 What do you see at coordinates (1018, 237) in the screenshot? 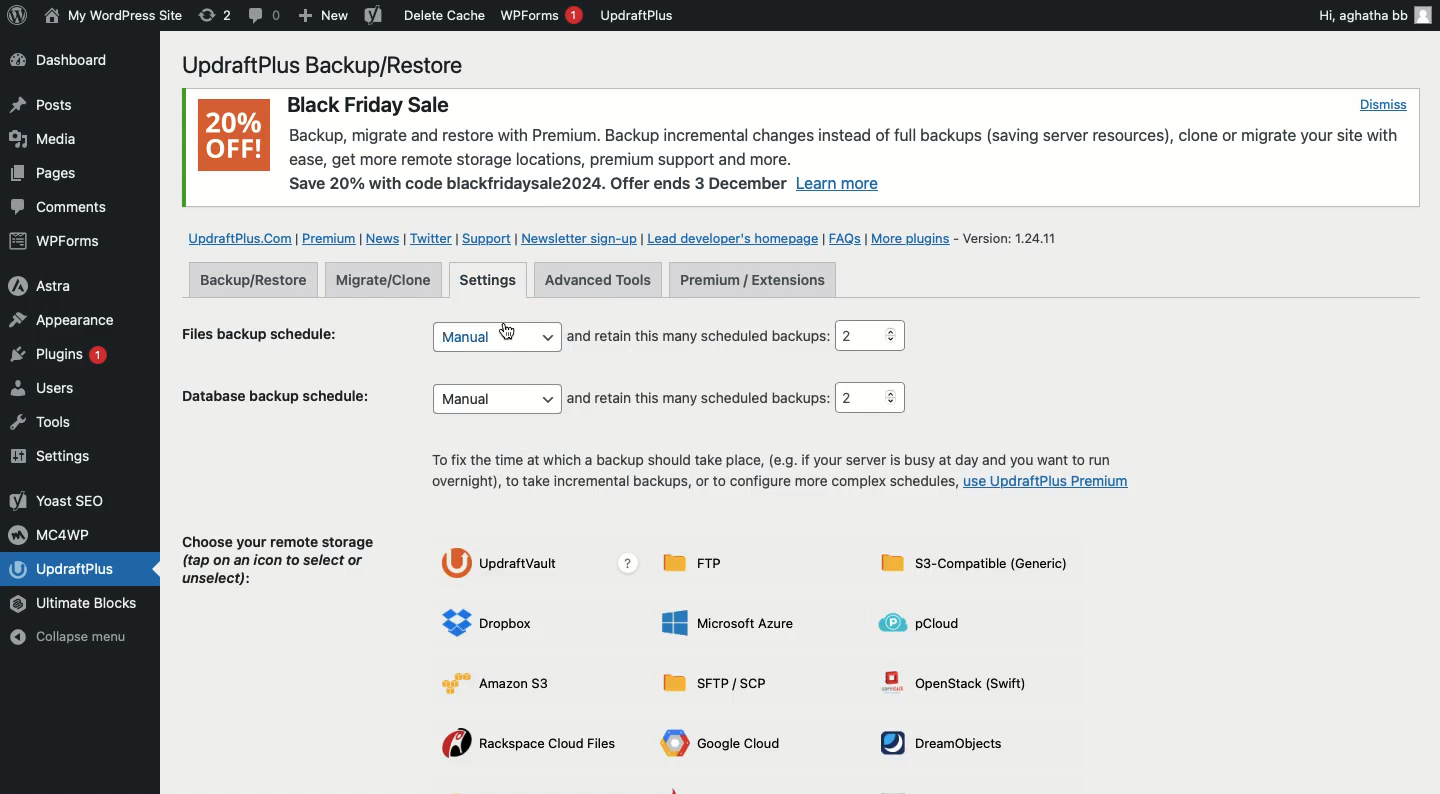
I see `Version 1.24.11` at bounding box center [1018, 237].